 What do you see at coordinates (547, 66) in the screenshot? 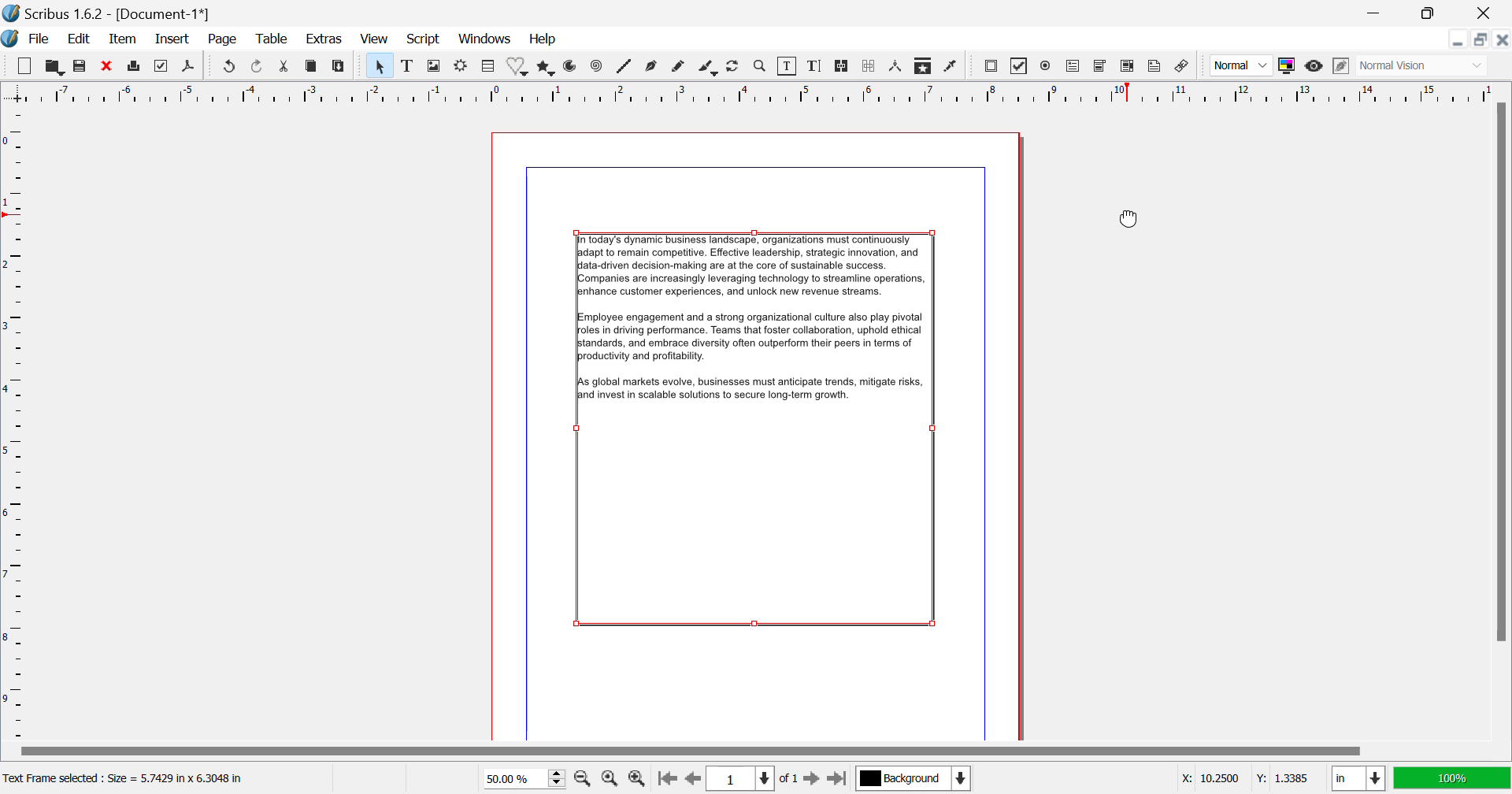
I see `Polygons` at bounding box center [547, 66].